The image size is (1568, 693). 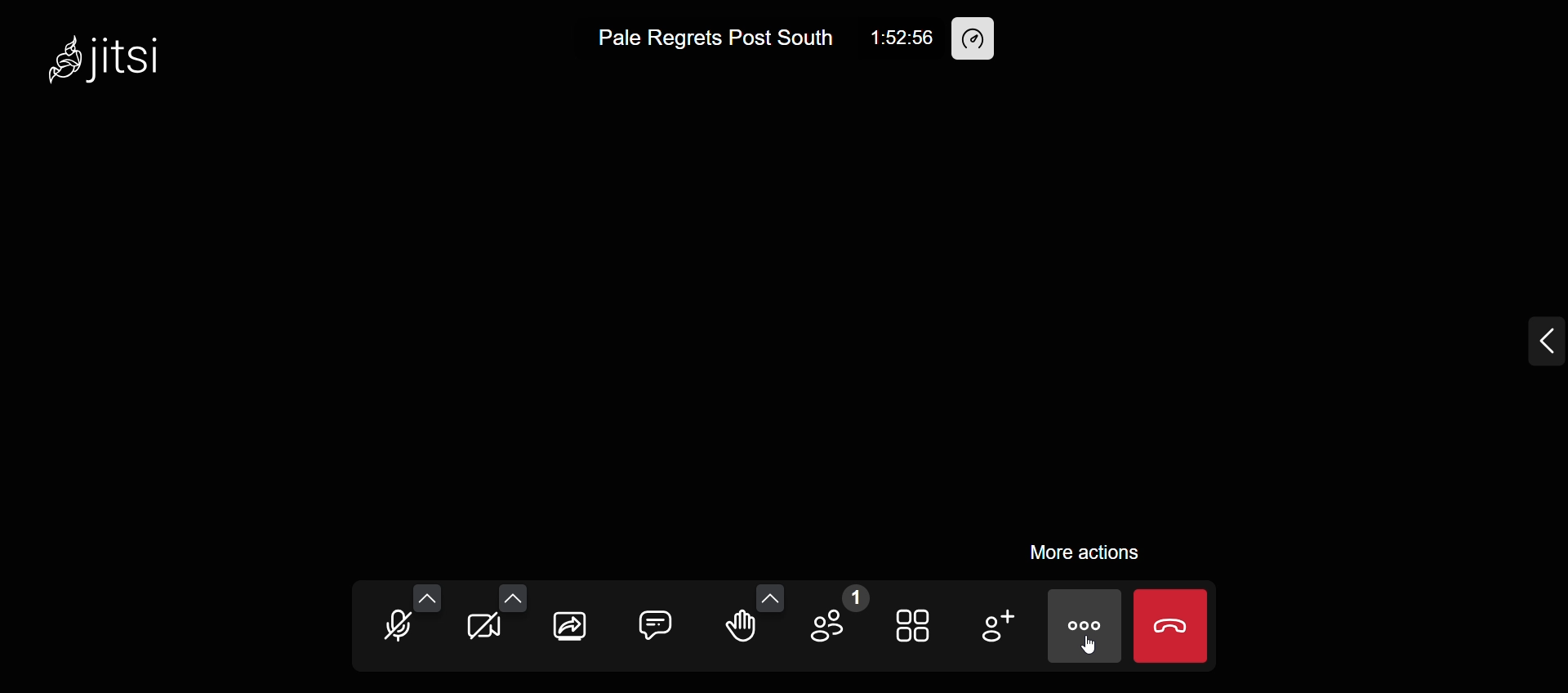 I want to click on share screen, so click(x=568, y=630).